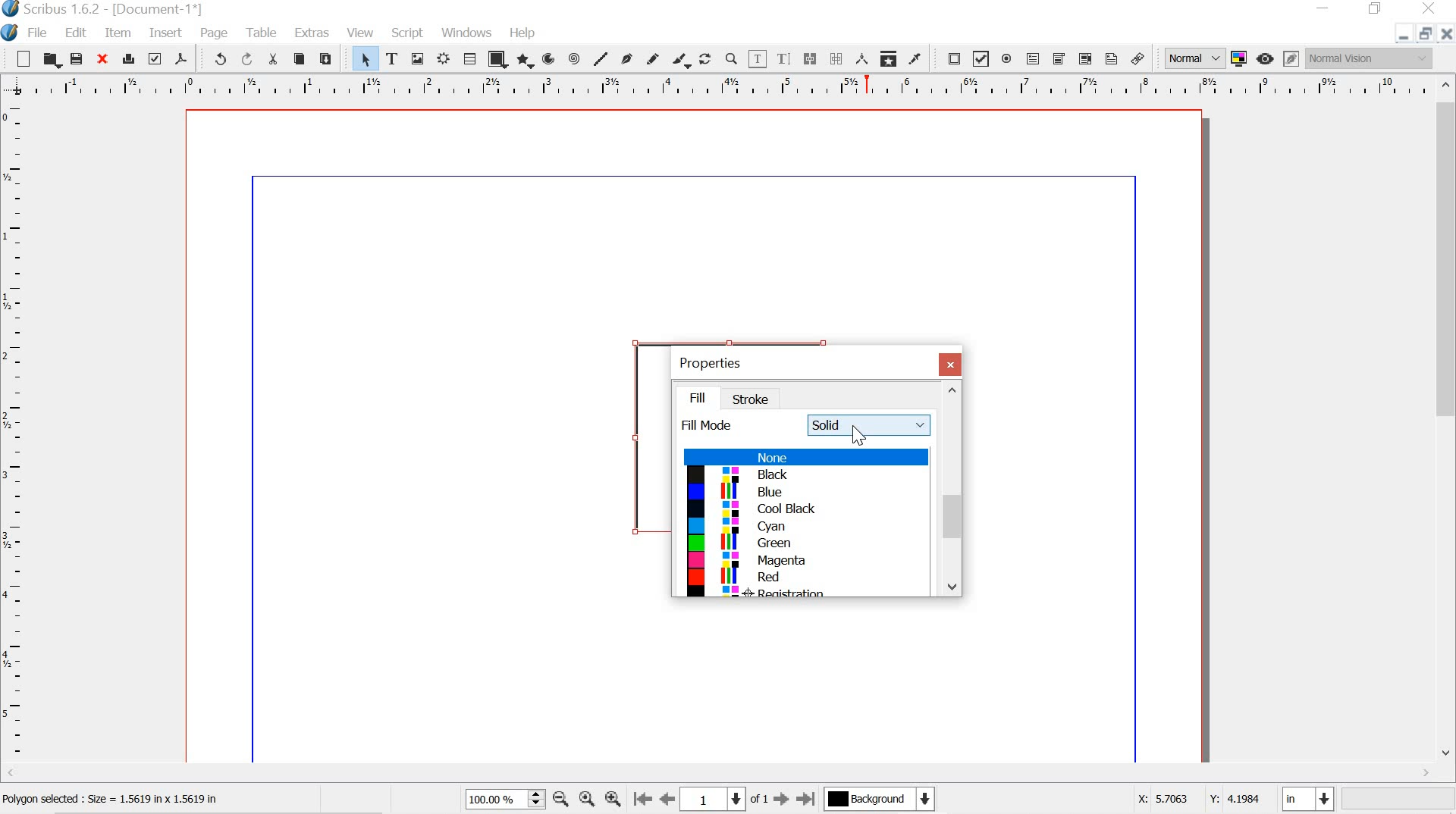  Describe the element at coordinates (1238, 59) in the screenshot. I see `toggle color management system` at that location.